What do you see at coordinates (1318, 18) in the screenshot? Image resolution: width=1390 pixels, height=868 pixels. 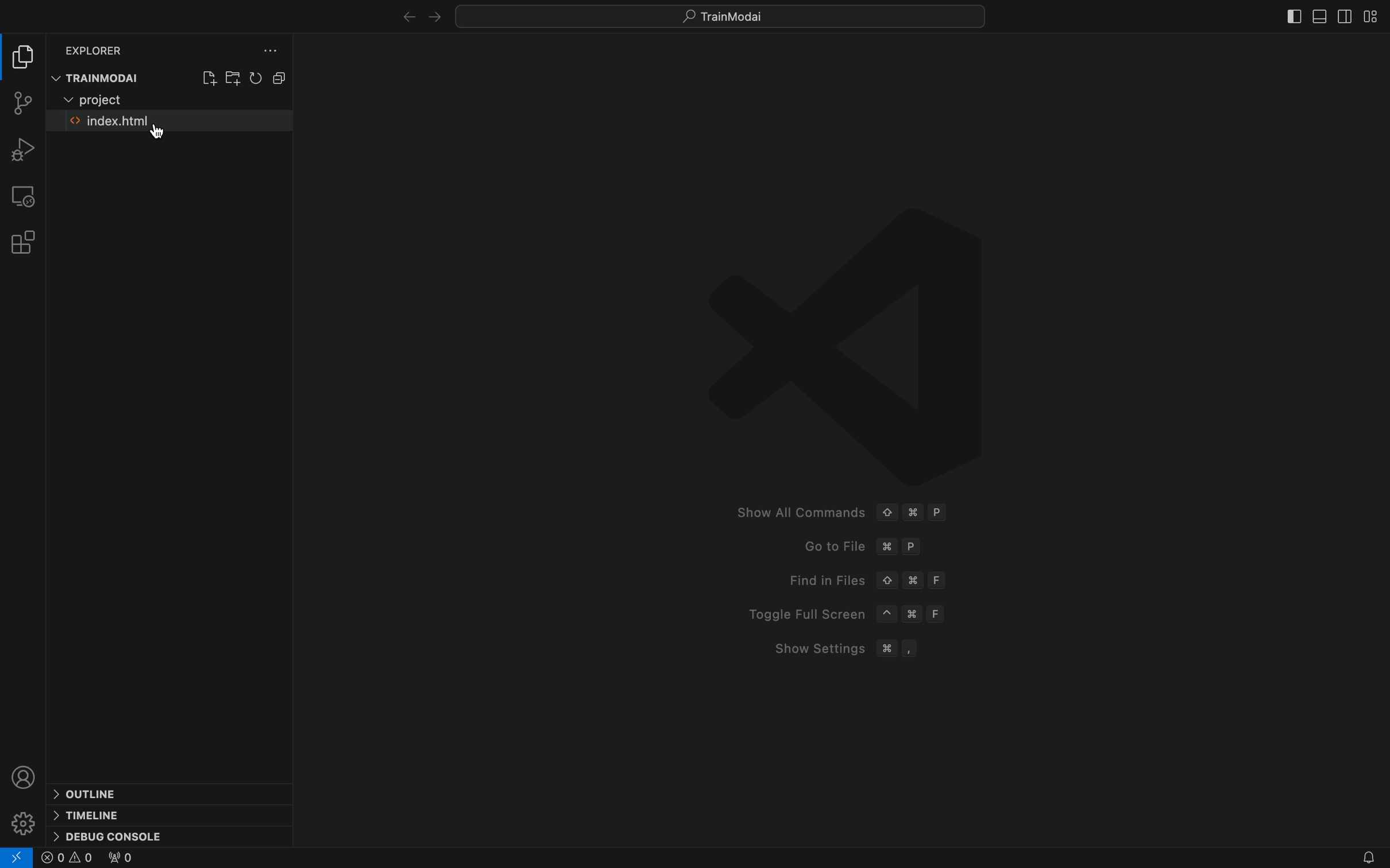 I see `` at bounding box center [1318, 18].